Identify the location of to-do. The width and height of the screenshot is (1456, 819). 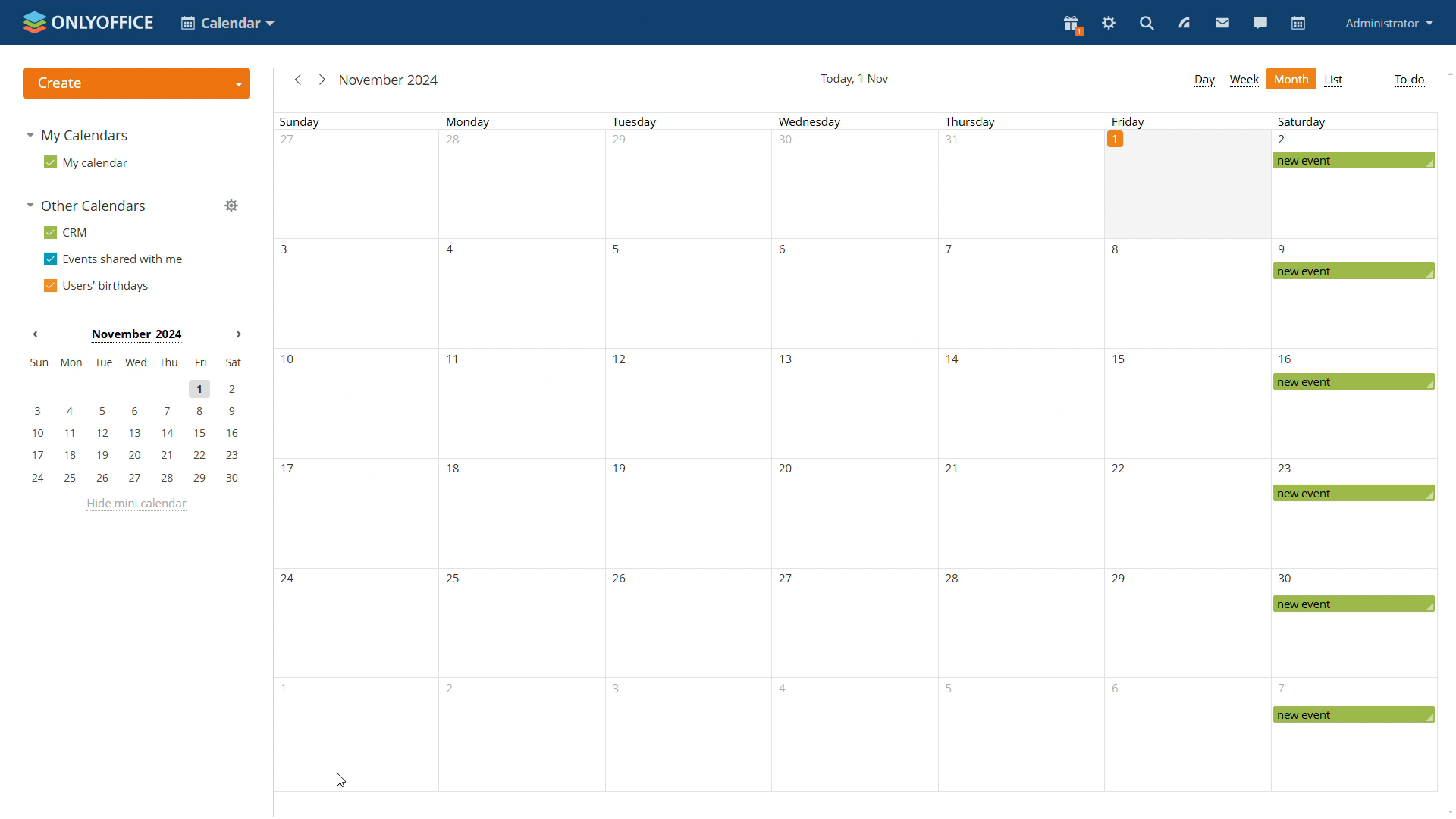
(1409, 80).